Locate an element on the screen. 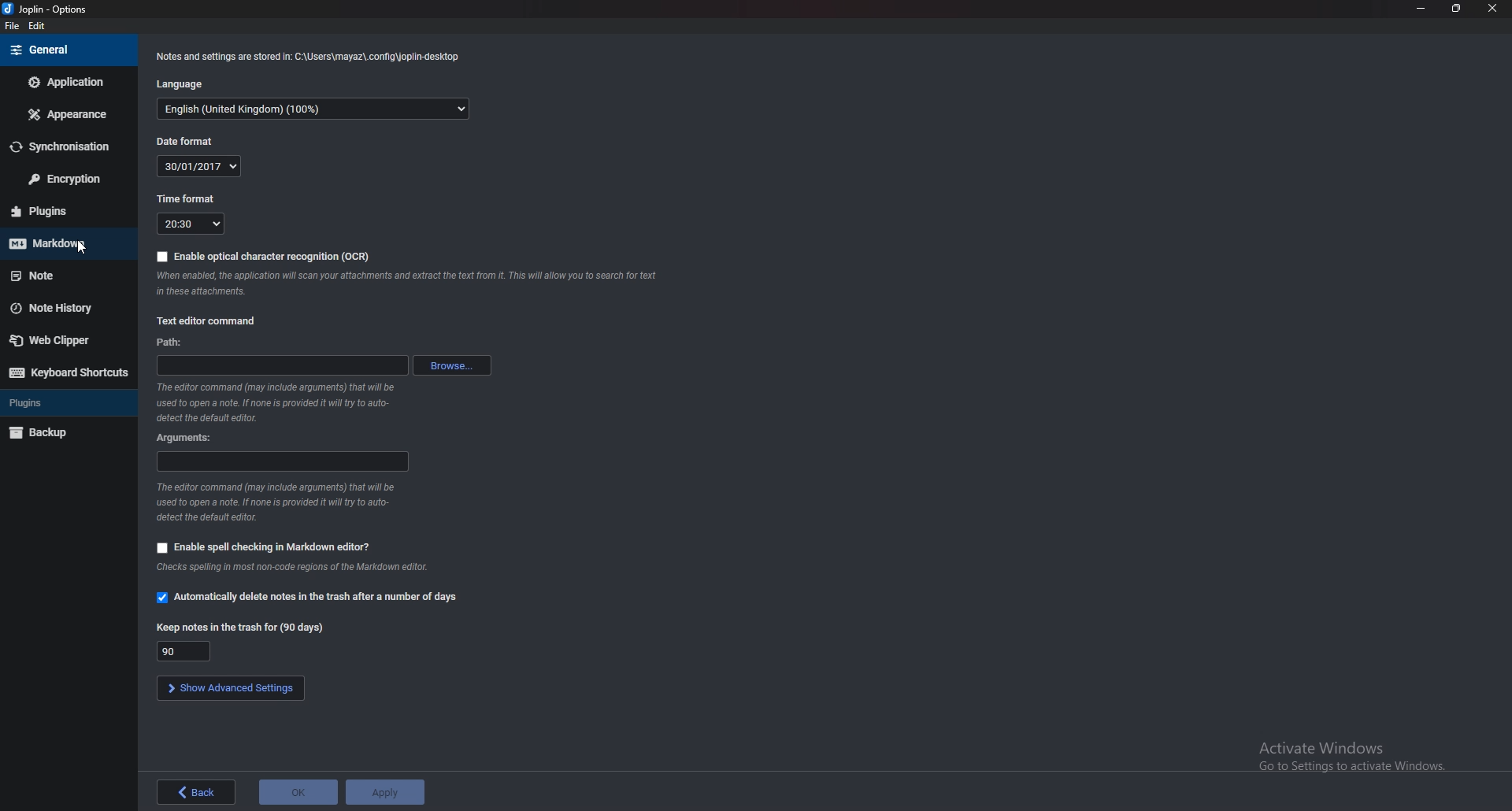  Arguments is located at coordinates (281, 461).